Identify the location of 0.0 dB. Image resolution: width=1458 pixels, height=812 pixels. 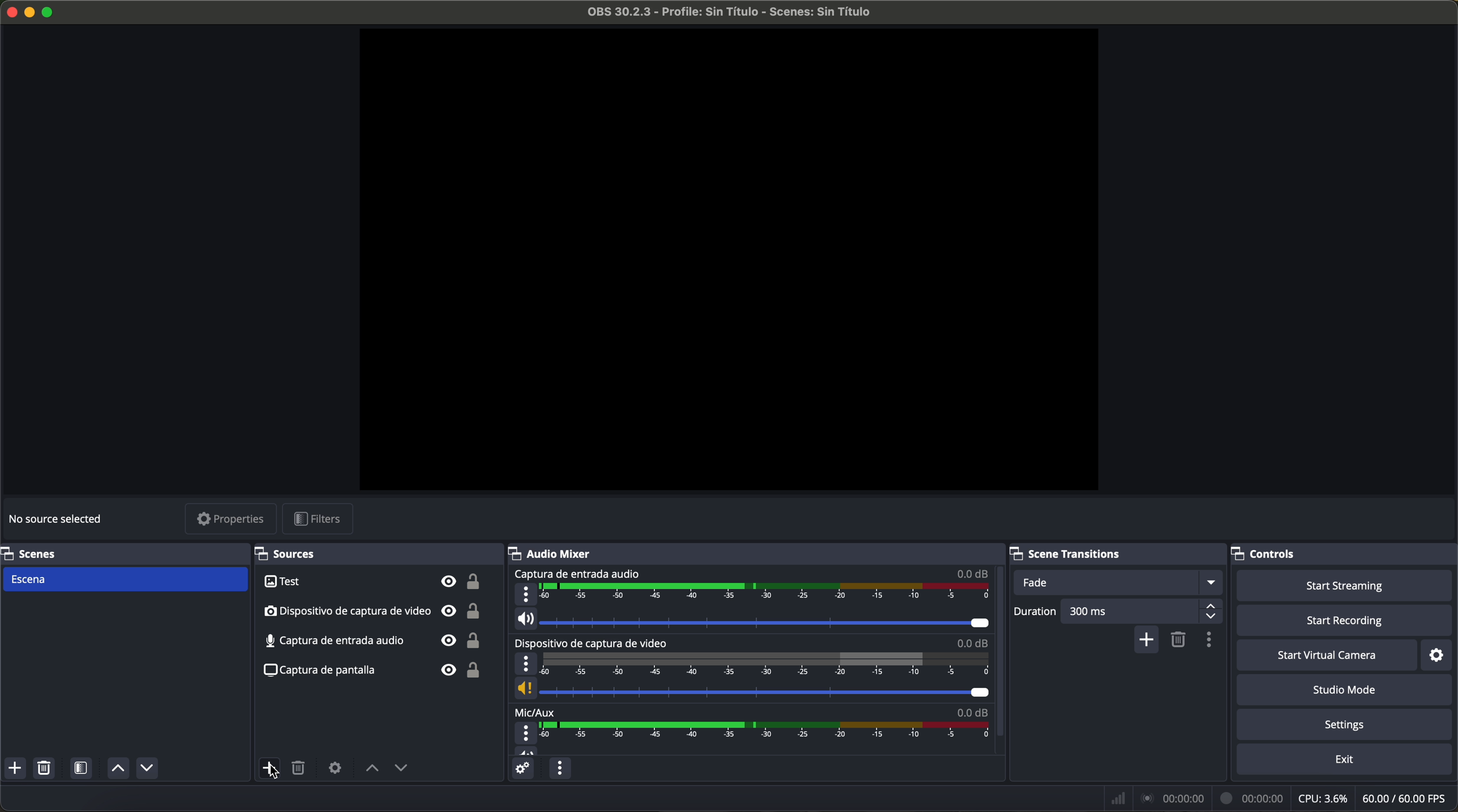
(967, 643).